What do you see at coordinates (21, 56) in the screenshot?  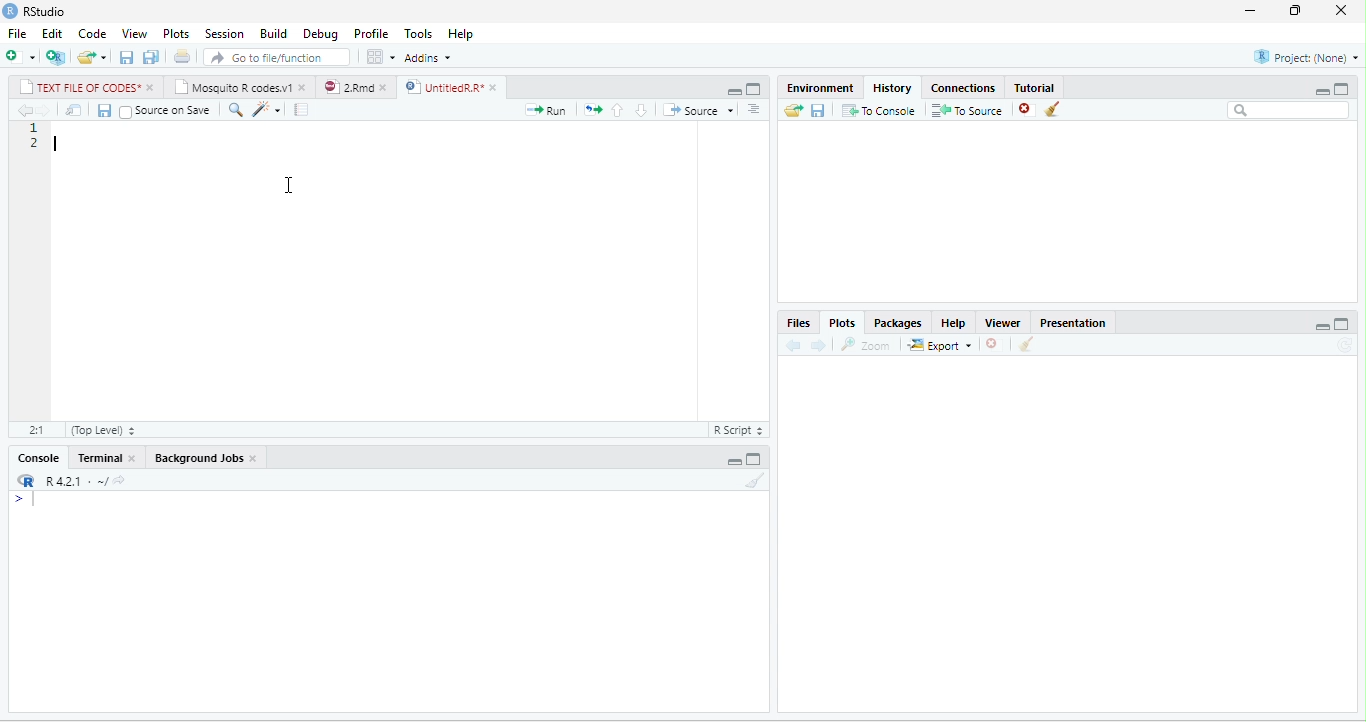 I see `new file` at bounding box center [21, 56].